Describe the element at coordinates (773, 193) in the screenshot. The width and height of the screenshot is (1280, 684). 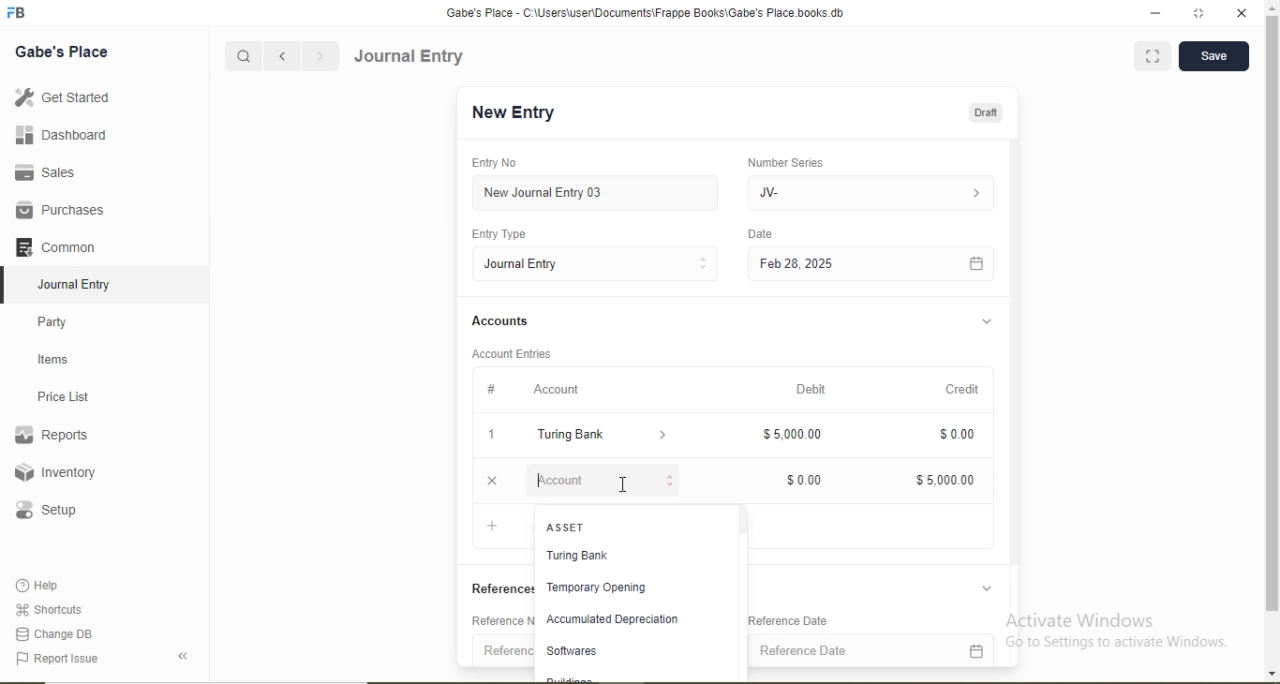
I see `JV-` at that location.